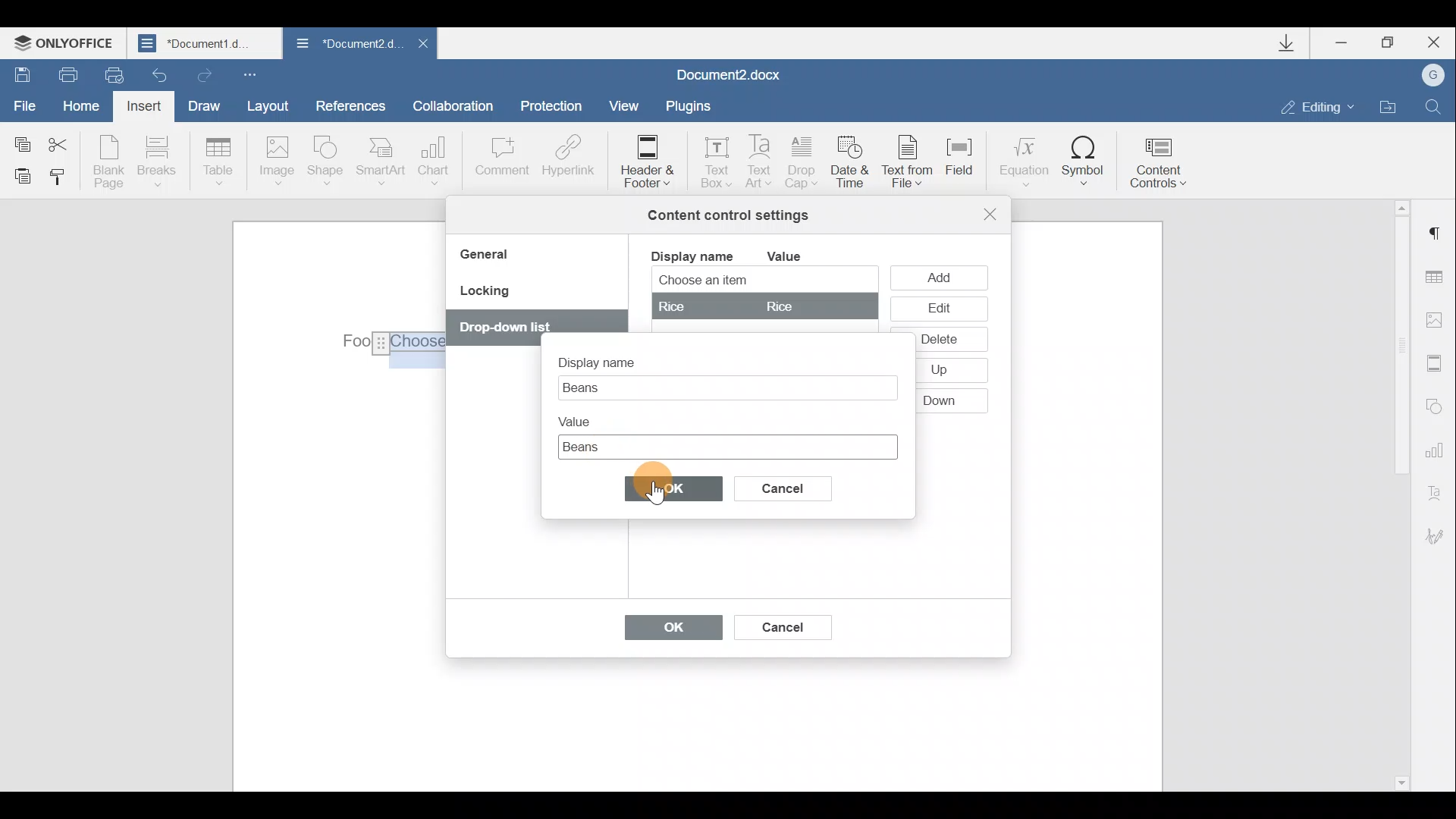 The height and width of the screenshot is (819, 1456). What do you see at coordinates (761, 162) in the screenshot?
I see `Text Art` at bounding box center [761, 162].